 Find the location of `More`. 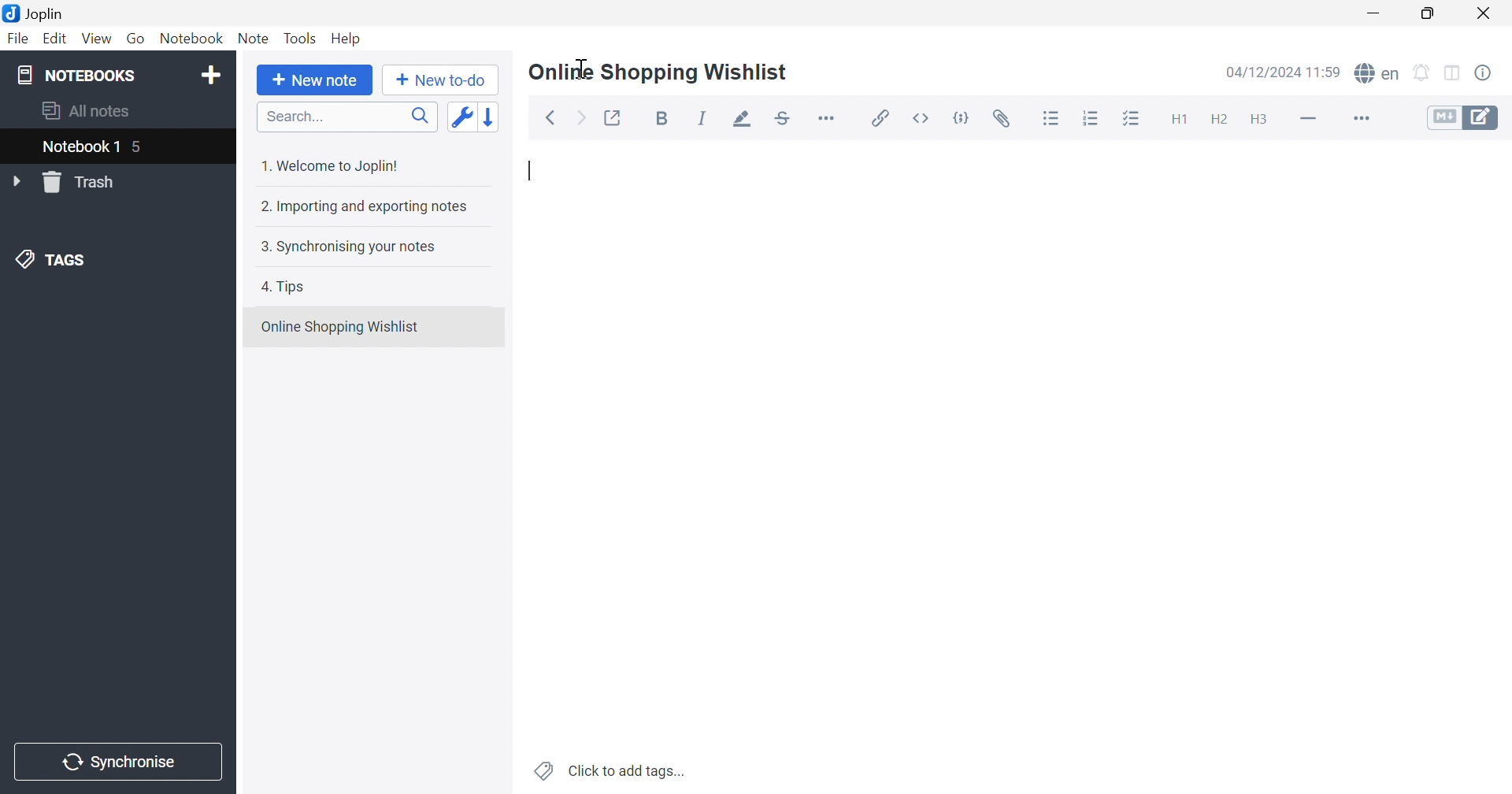

More is located at coordinates (1364, 118).